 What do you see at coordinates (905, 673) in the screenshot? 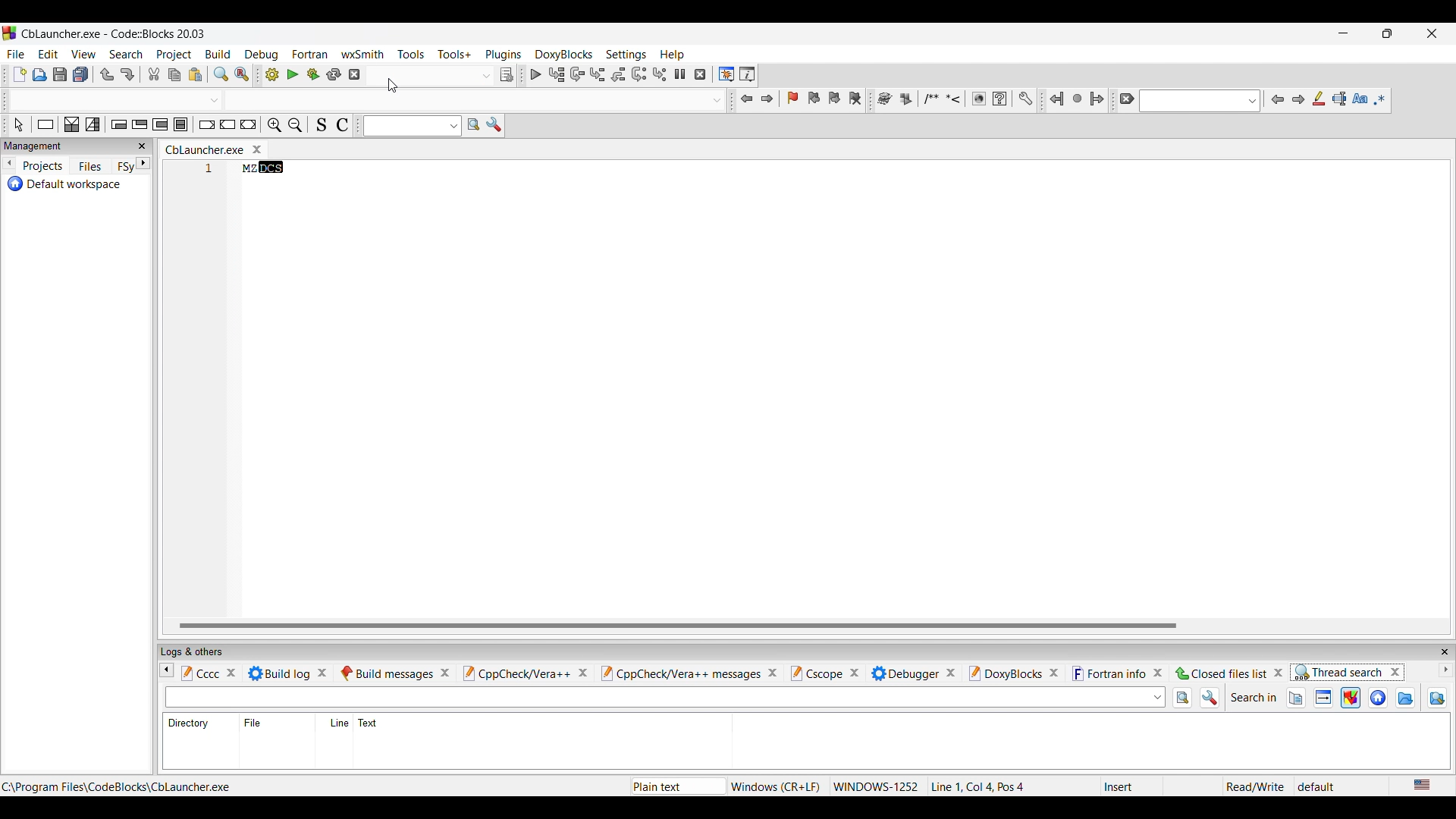
I see `Debugger tab` at bounding box center [905, 673].